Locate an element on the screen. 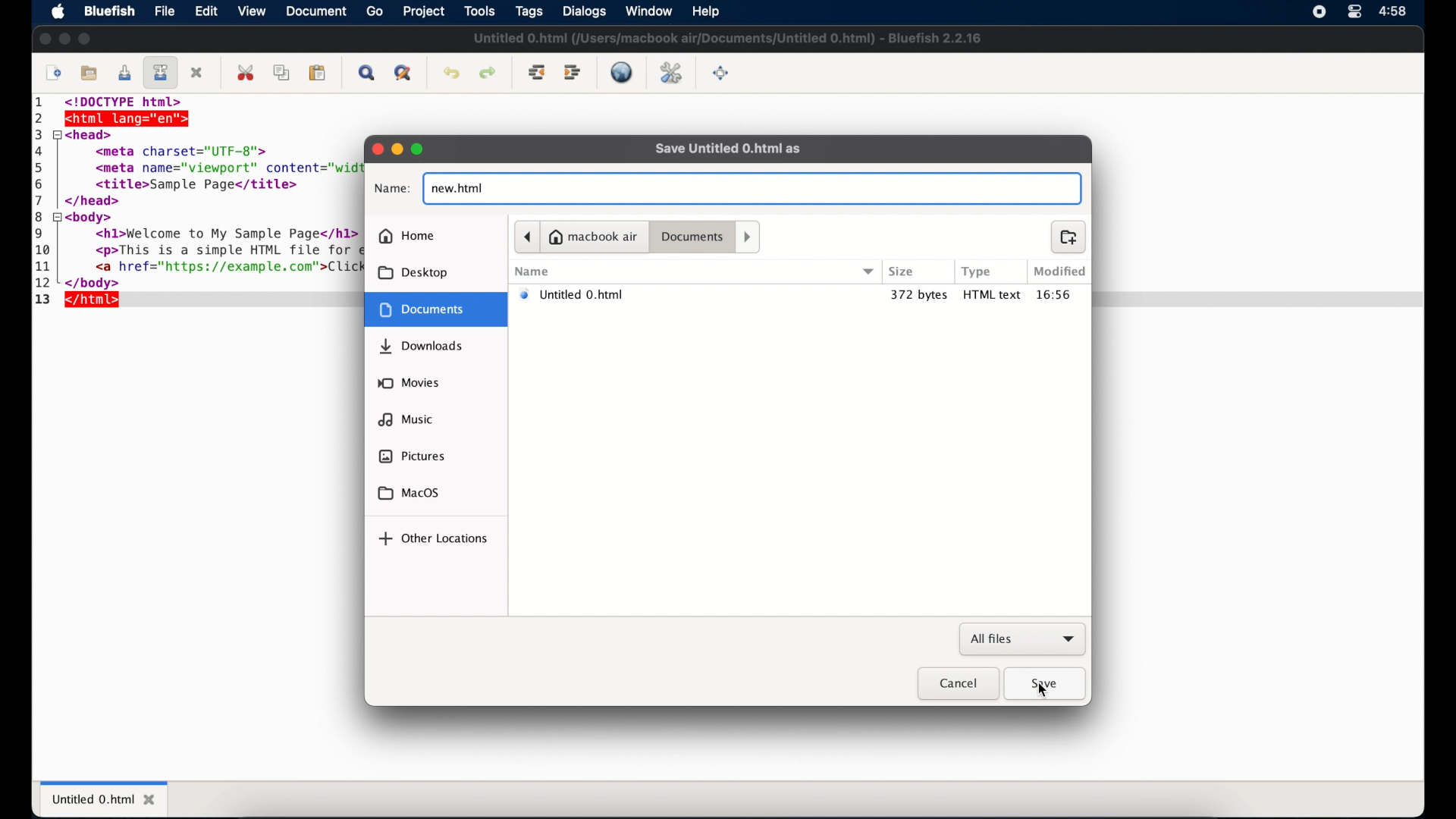 This screenshot has height=819, width=1456. maximize is located at coordinates (86, 39).